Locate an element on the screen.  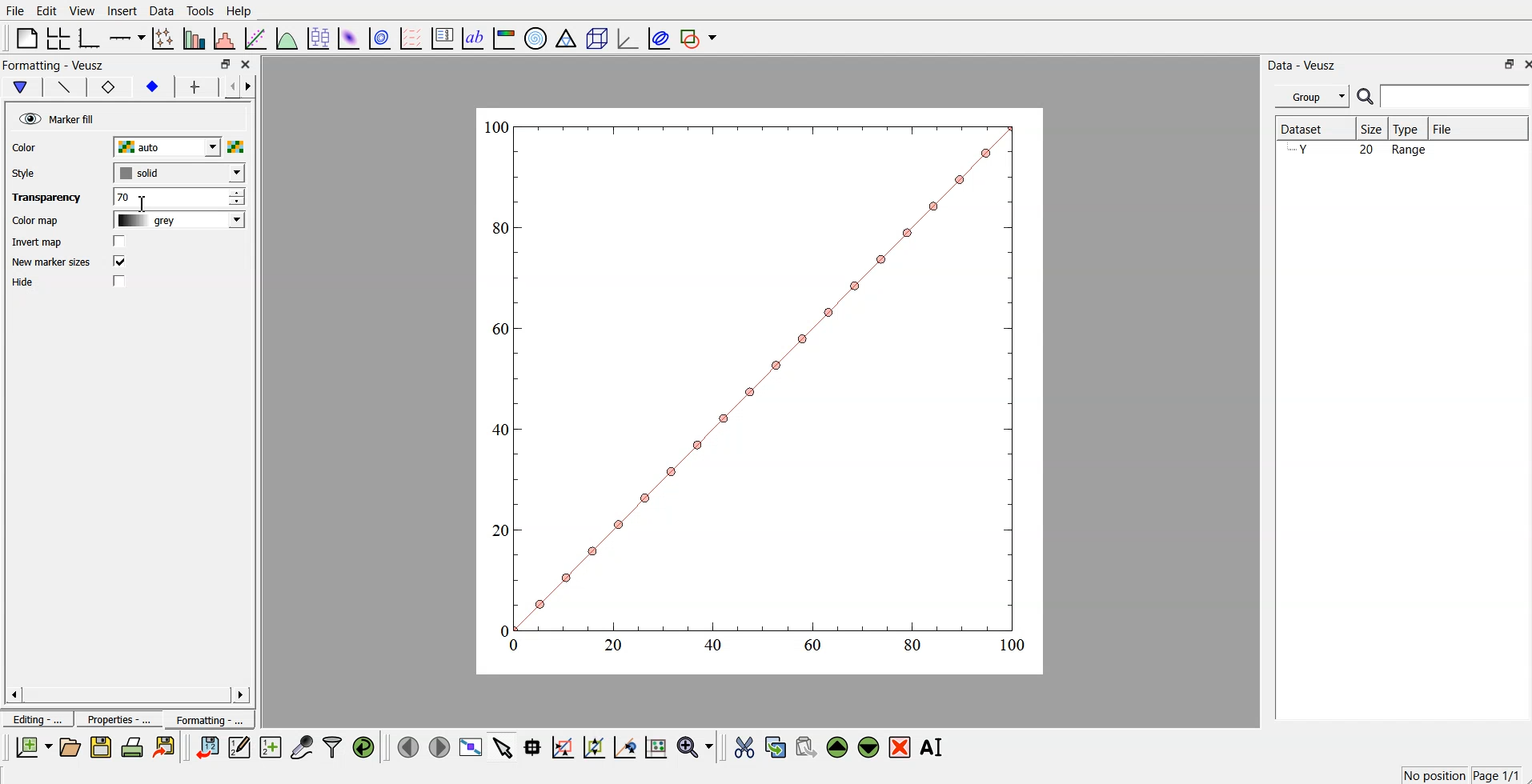
plot box plots is located at coordinates (318, 37).